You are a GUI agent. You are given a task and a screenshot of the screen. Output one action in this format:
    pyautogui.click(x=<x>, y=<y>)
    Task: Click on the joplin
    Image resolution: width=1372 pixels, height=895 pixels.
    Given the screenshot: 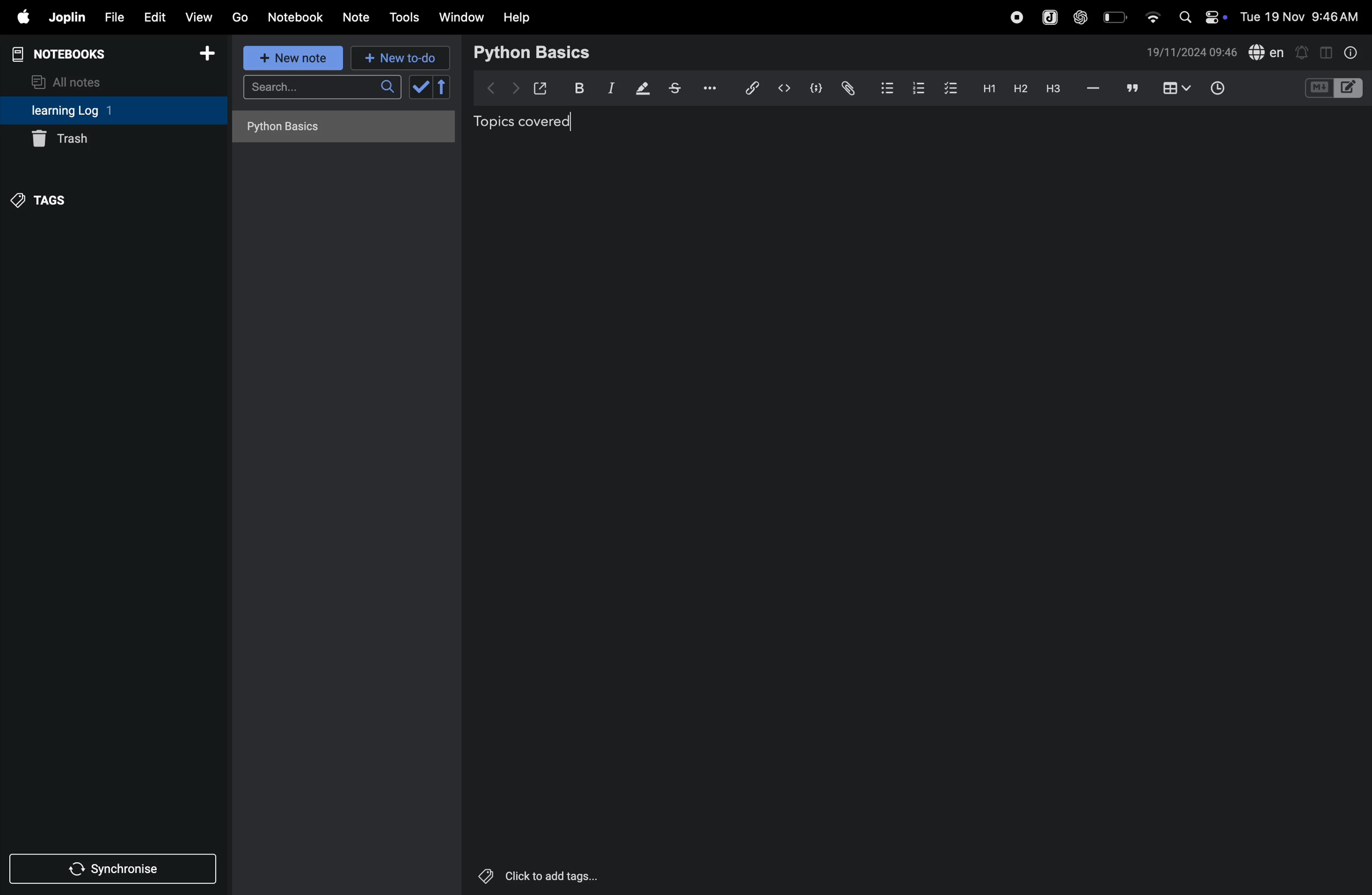 What is the action you would take?
    pyautogui.click(x=1048, y=17)
    